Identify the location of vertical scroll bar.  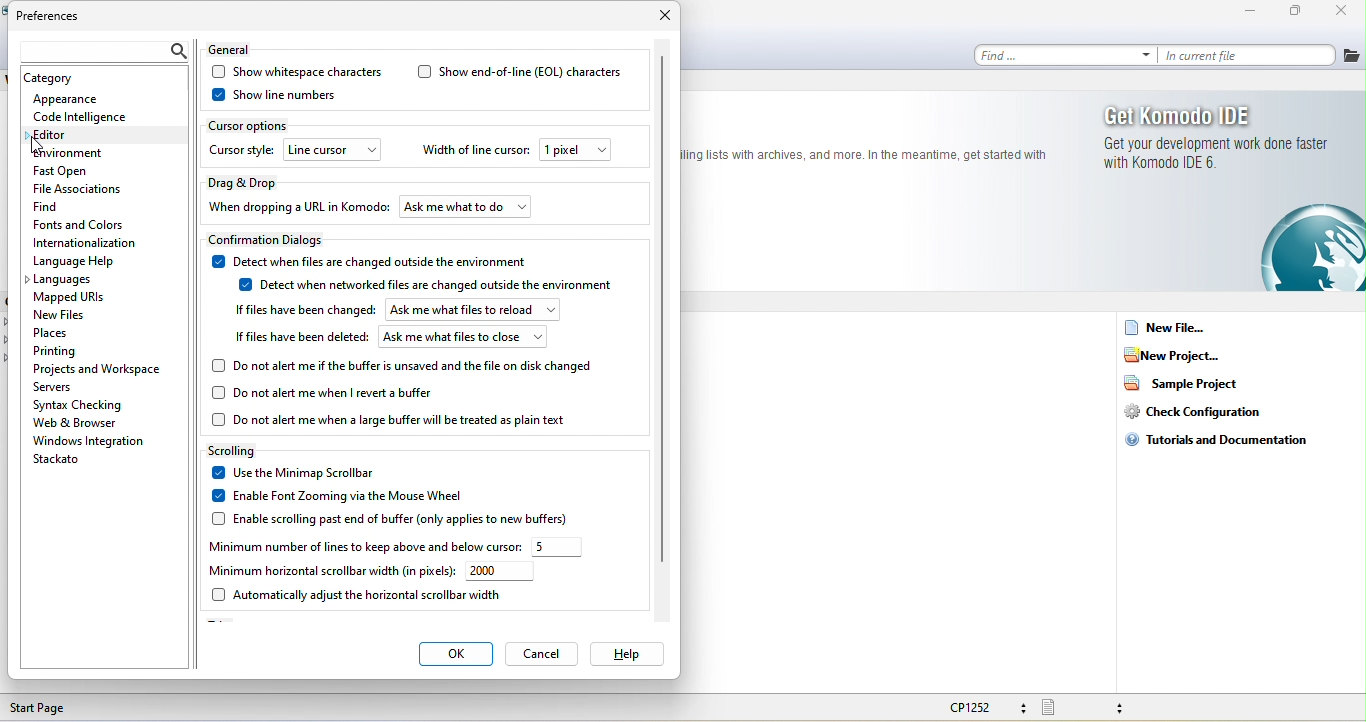
(662, 306).